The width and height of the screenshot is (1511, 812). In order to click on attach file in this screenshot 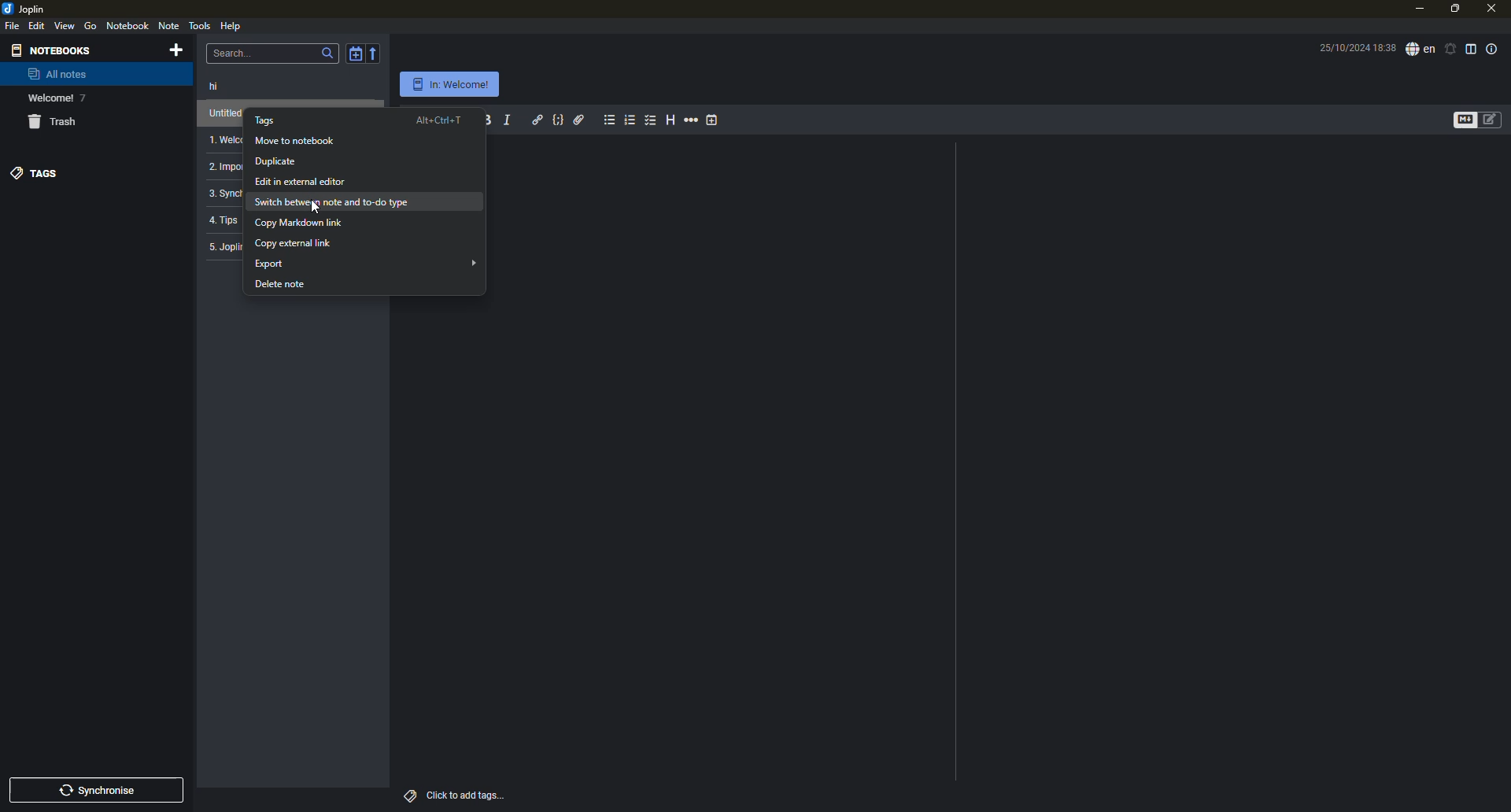, I will do `click(579, 119)`.